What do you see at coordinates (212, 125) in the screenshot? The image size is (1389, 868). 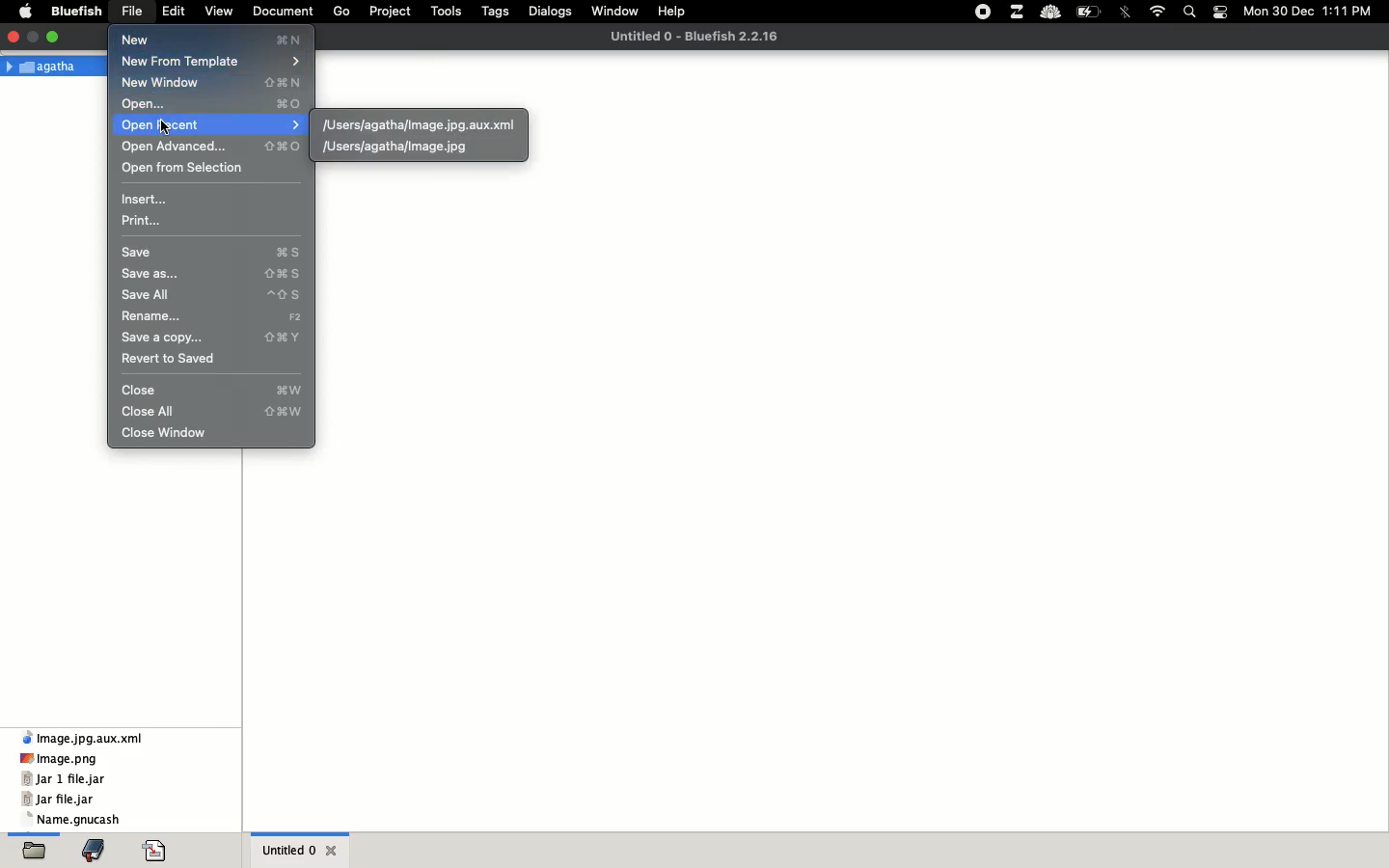 I see `open recent` at bounding box center [212, 125].